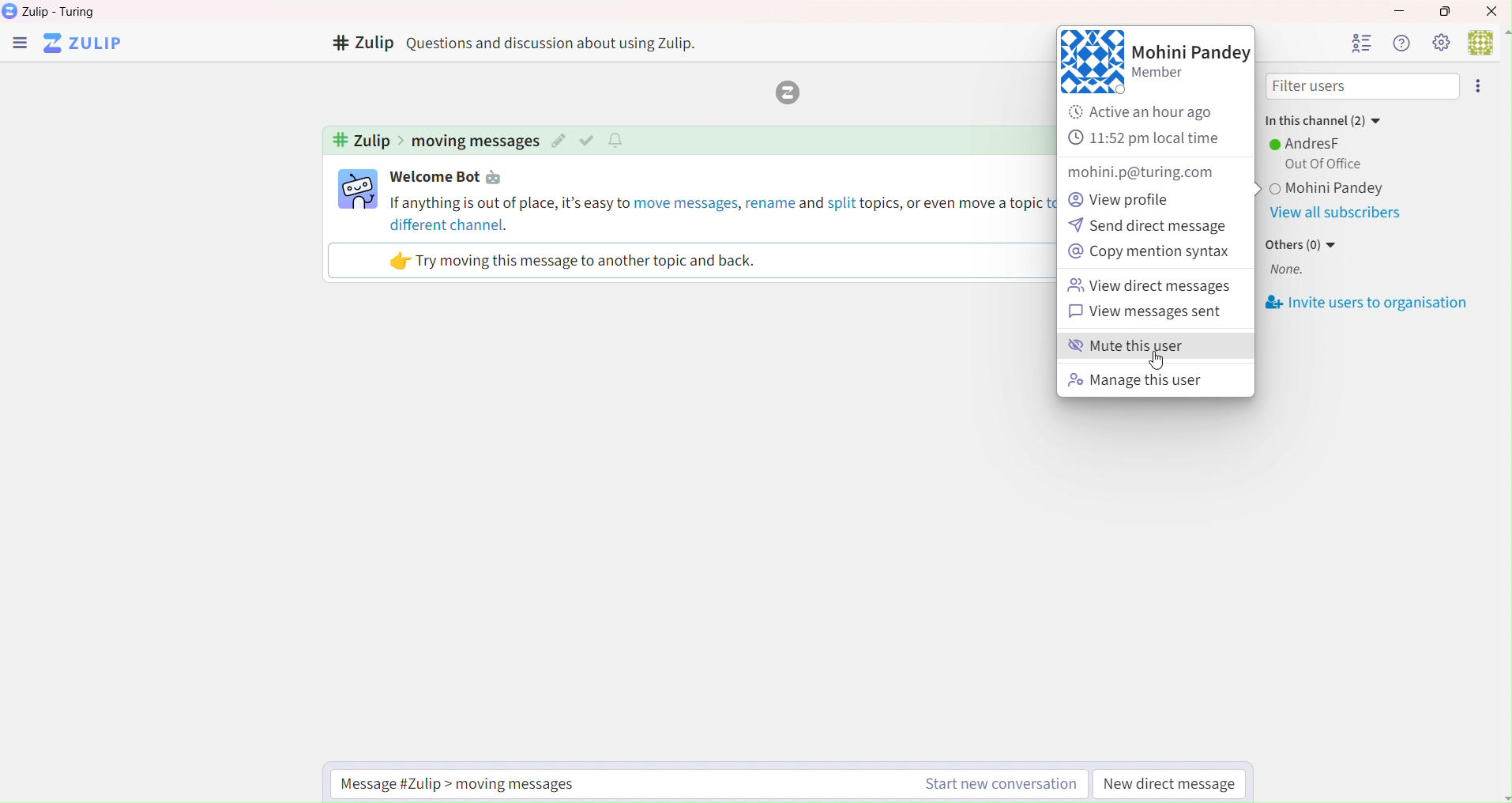 The height and width of the screenshot is (803, 1512). I want to click on If anything is out of place, it’s easy to move messages, rename and split topics, or even move a topic to a
different channel., so click(720, 213).